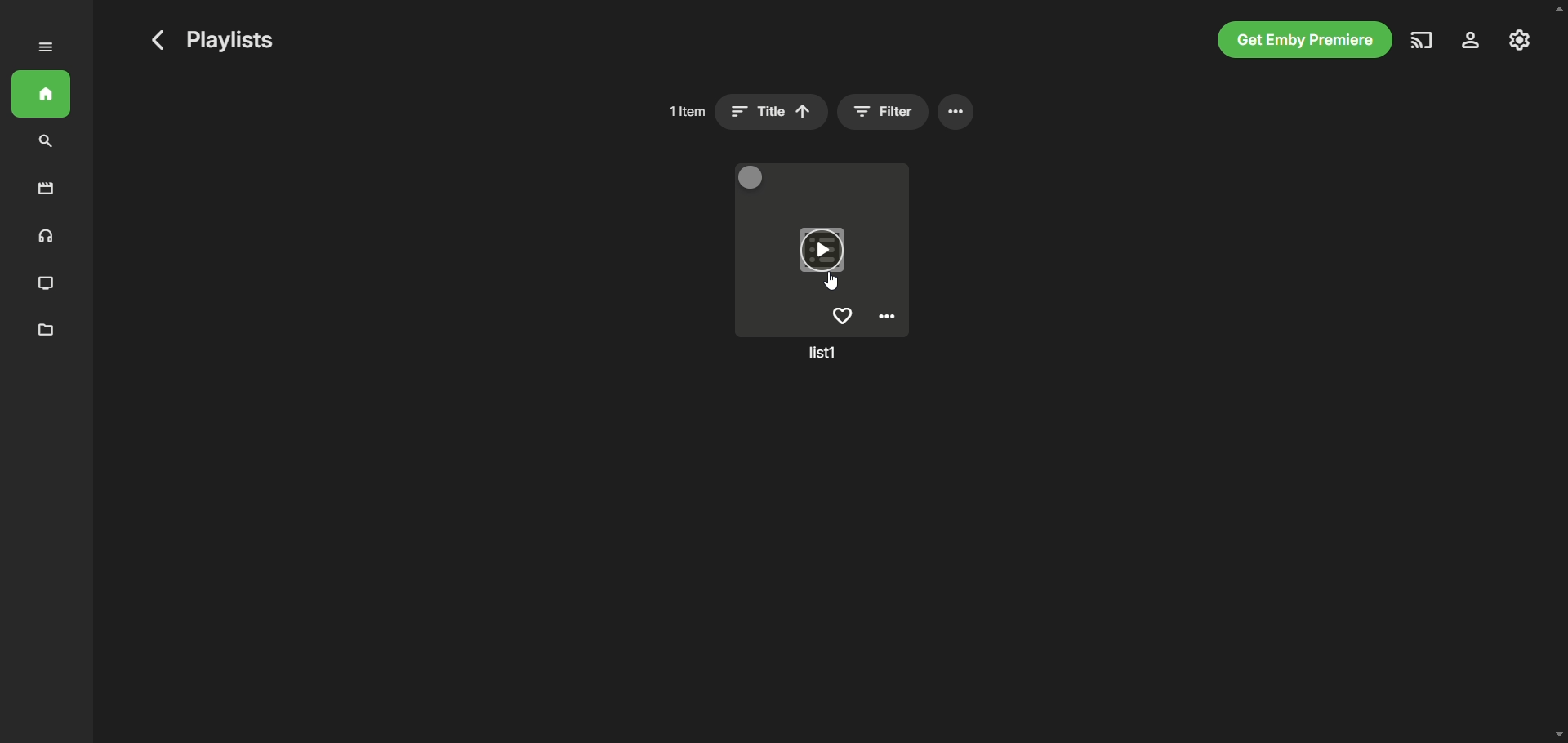 Image resolution: width=1568 pixels, height=743 pixels. I want to click on 1 item, so click(686, 111).